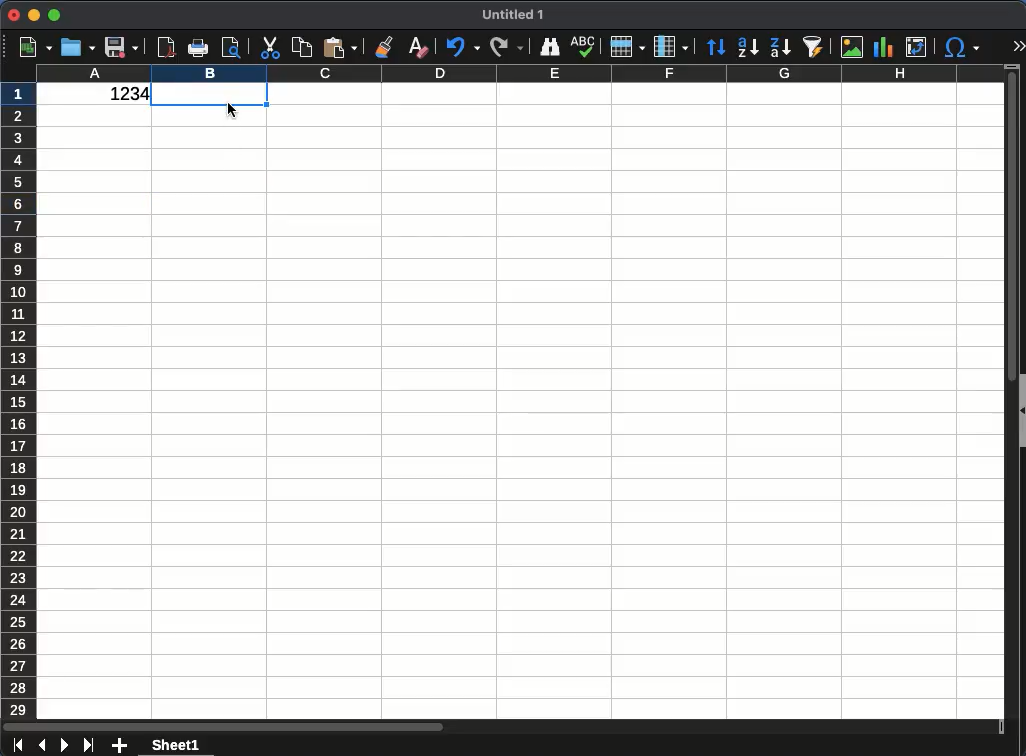  I want to click on close, so click(14, 15).